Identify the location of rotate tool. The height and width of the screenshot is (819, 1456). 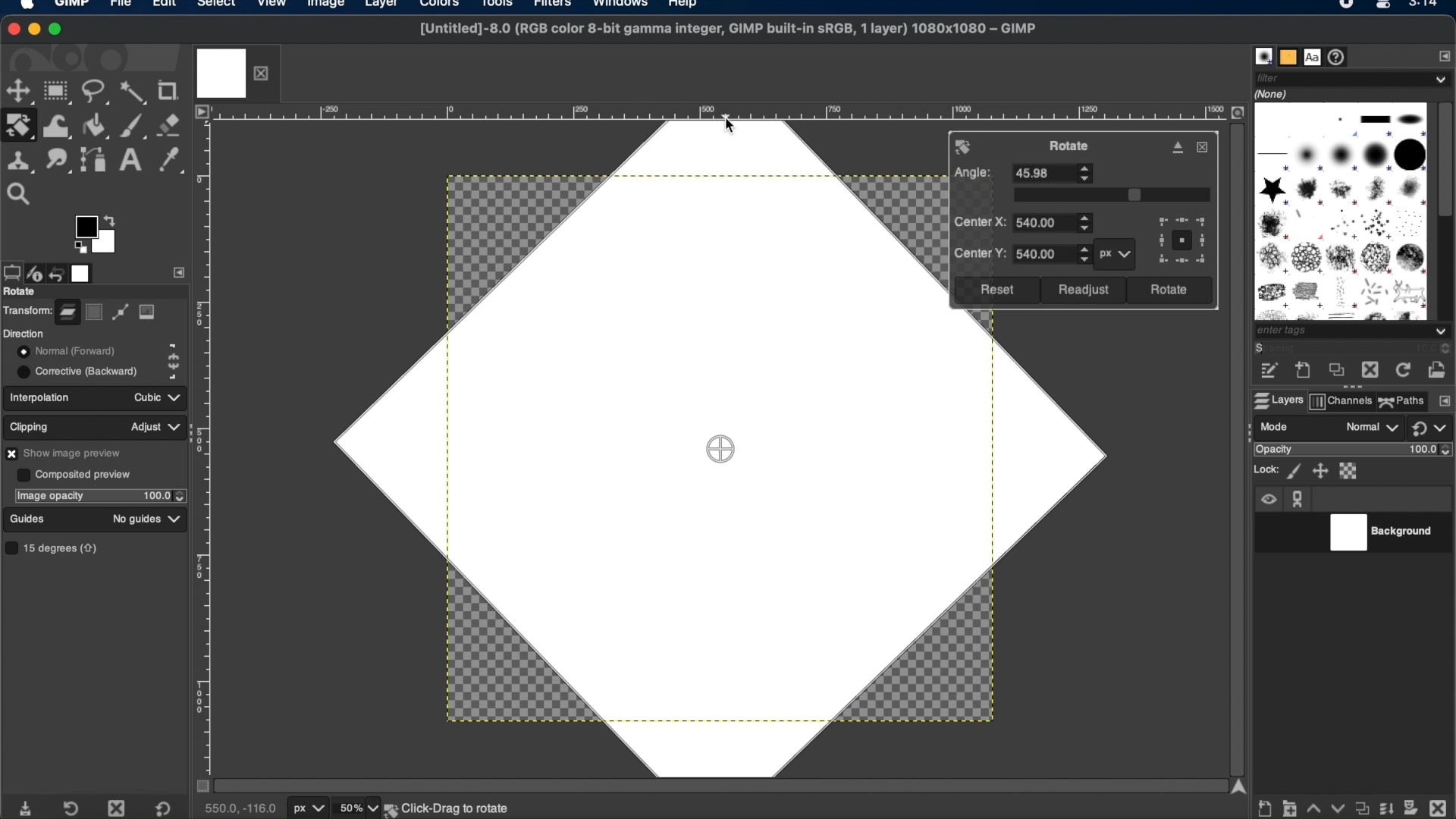
(20, 125).